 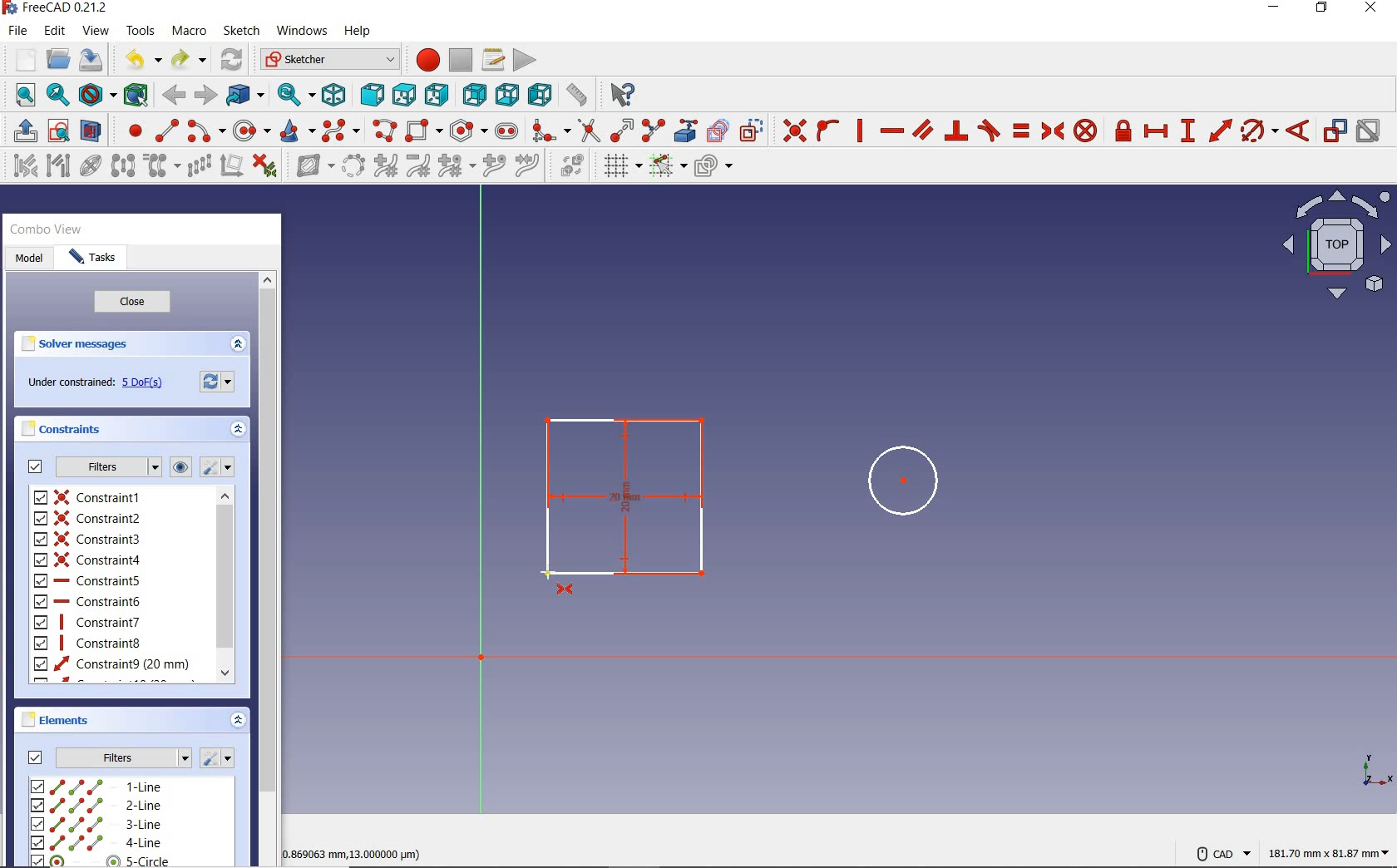 I want to click on help, so click(x=358, y=32).